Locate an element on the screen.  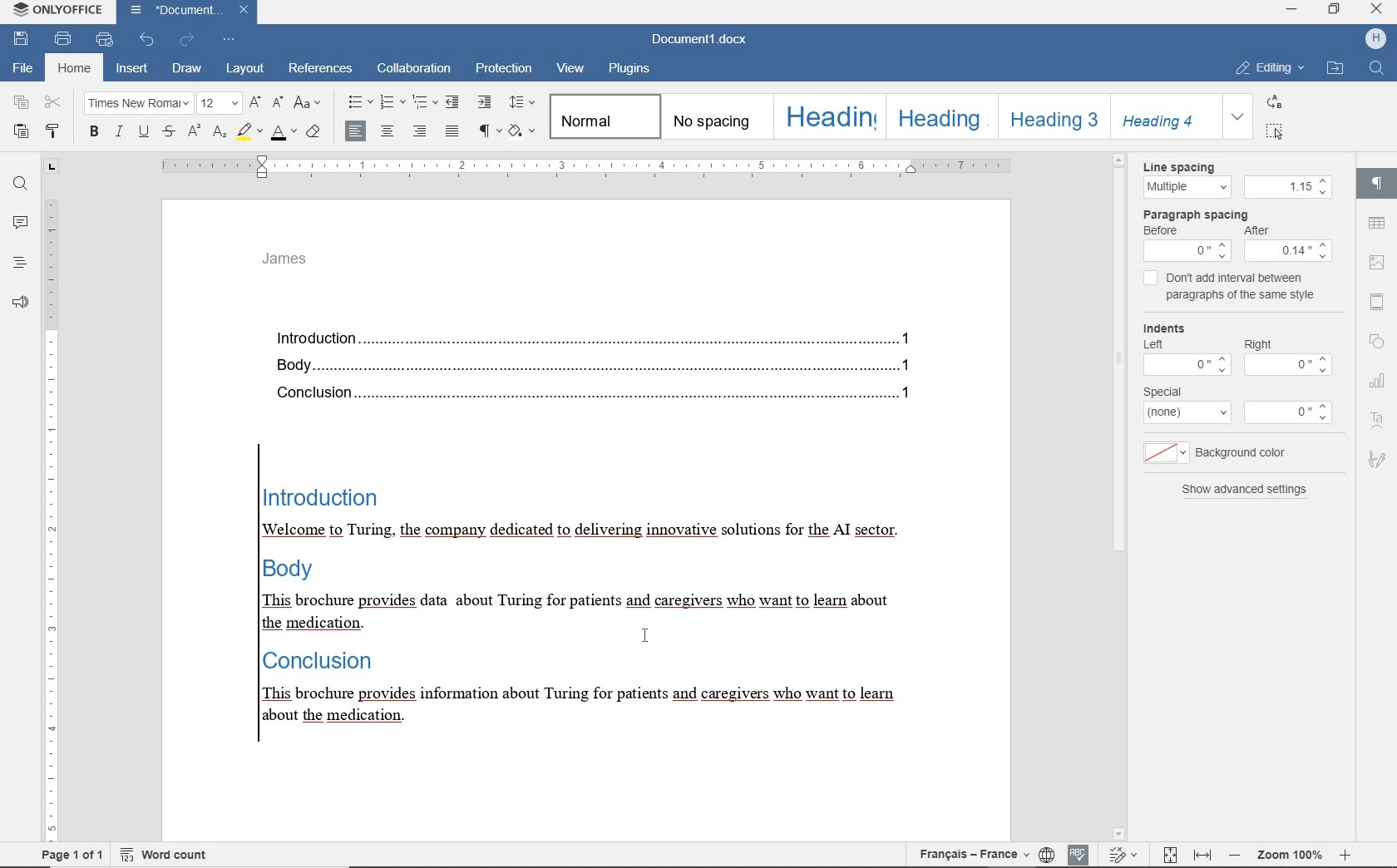
bold is located at coordinates (95, 133).